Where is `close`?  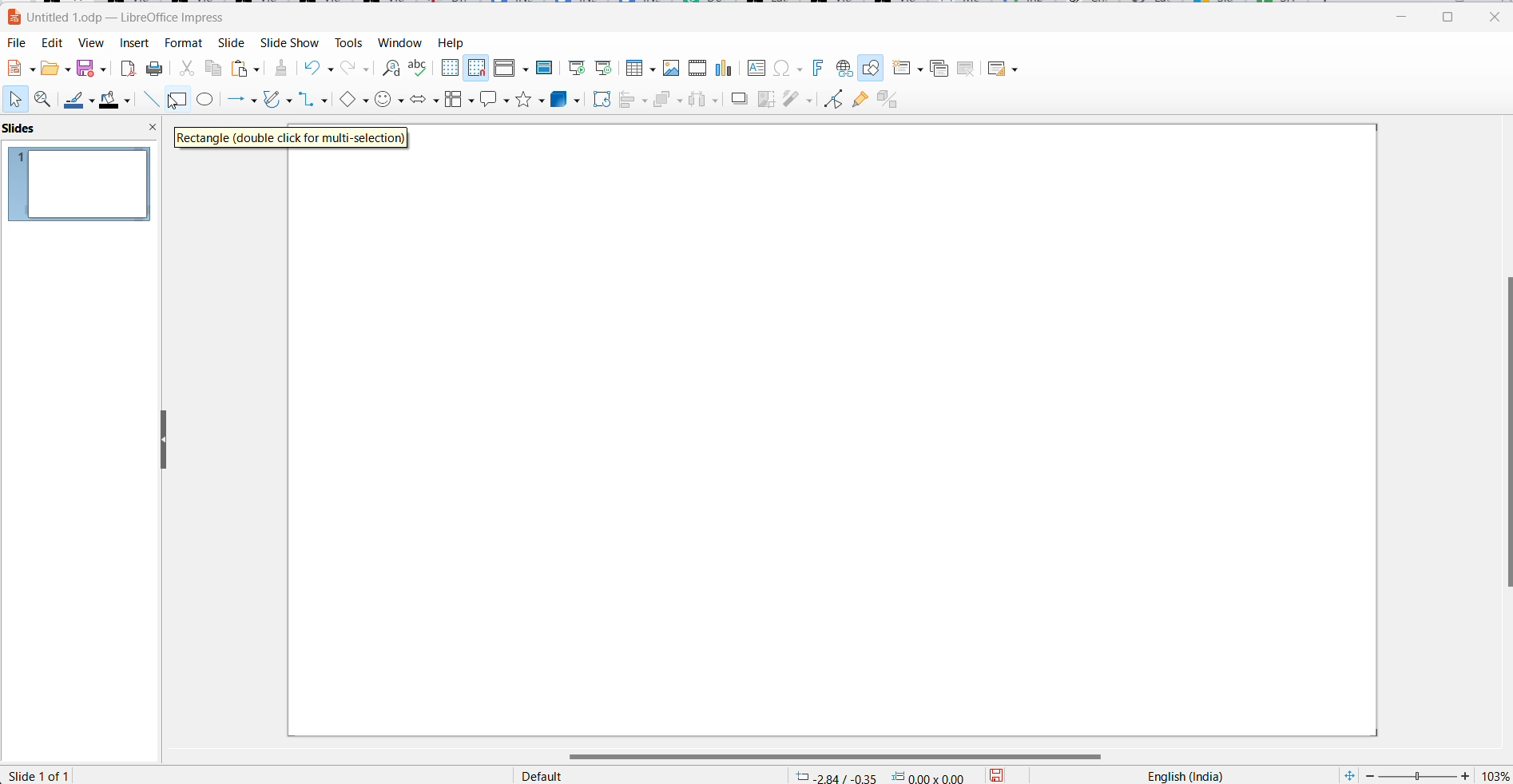 close is located at coordinates (1495, 16).